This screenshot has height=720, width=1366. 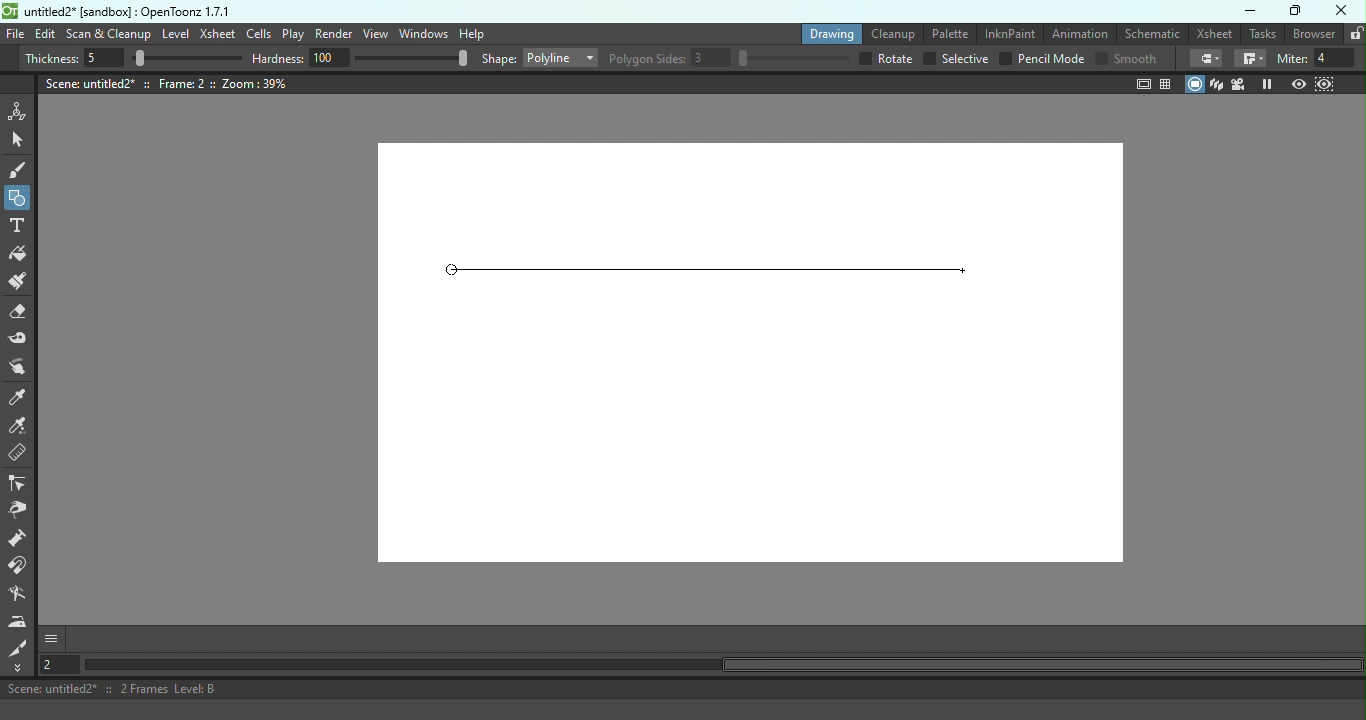 What do you see at coordinates (21, 315) in the screenshot?
I see `Eraser tool` at bounding box center [21, 315].